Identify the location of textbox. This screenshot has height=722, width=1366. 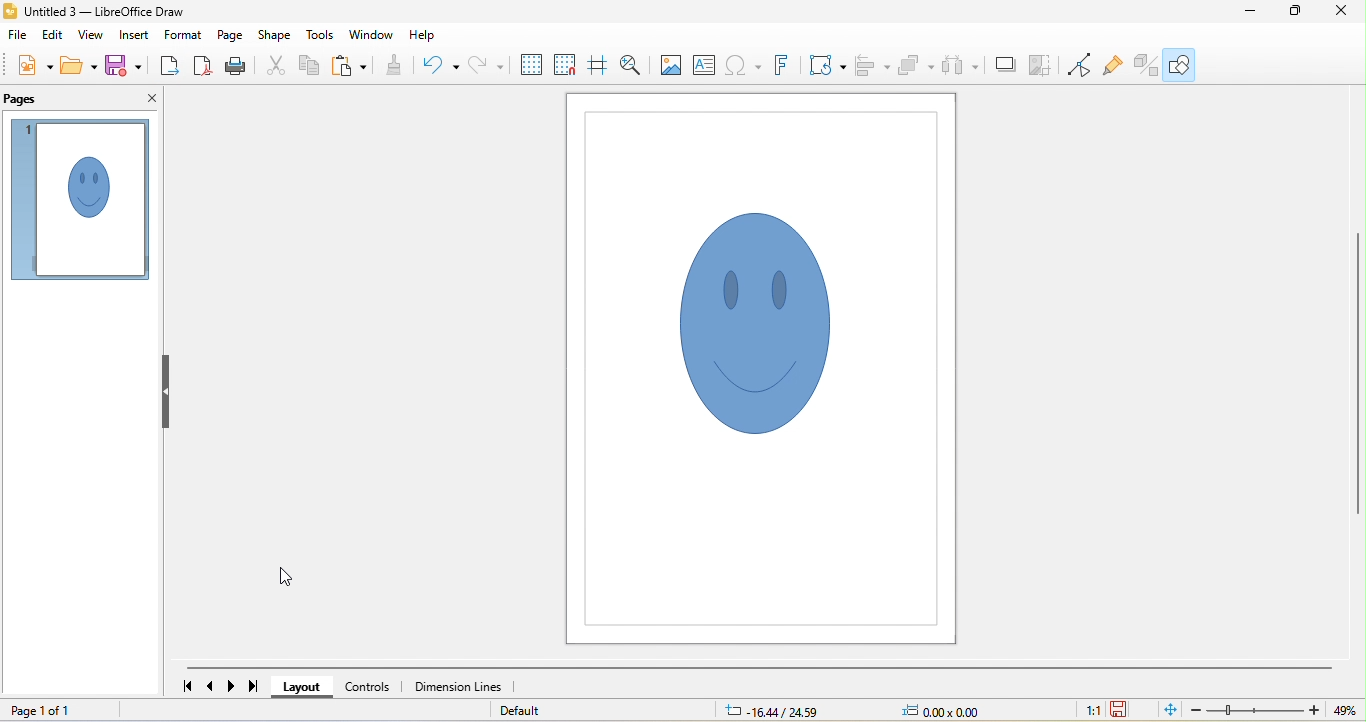
(704, 66).